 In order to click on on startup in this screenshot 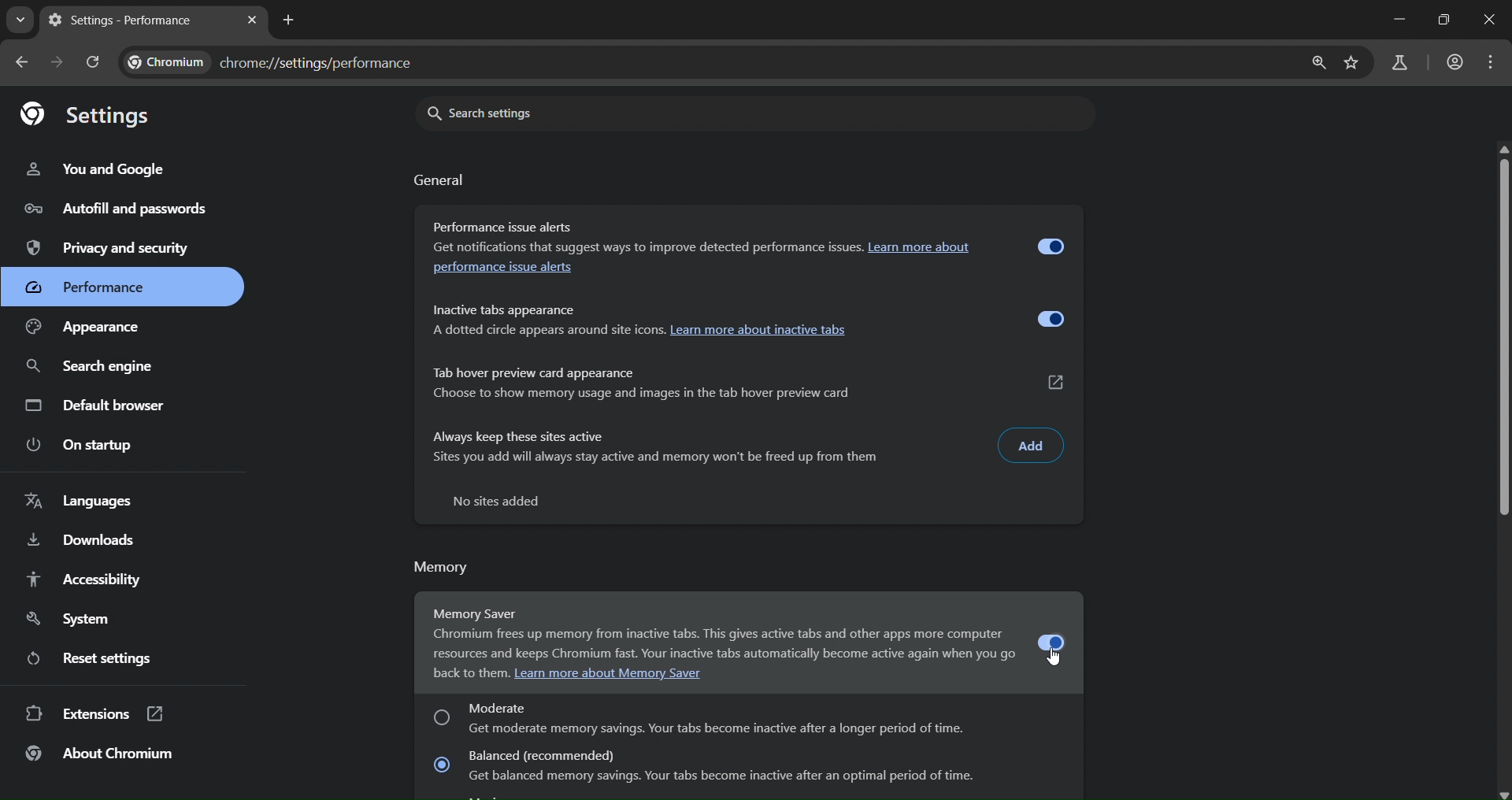, I will do `click(81, 443)`.